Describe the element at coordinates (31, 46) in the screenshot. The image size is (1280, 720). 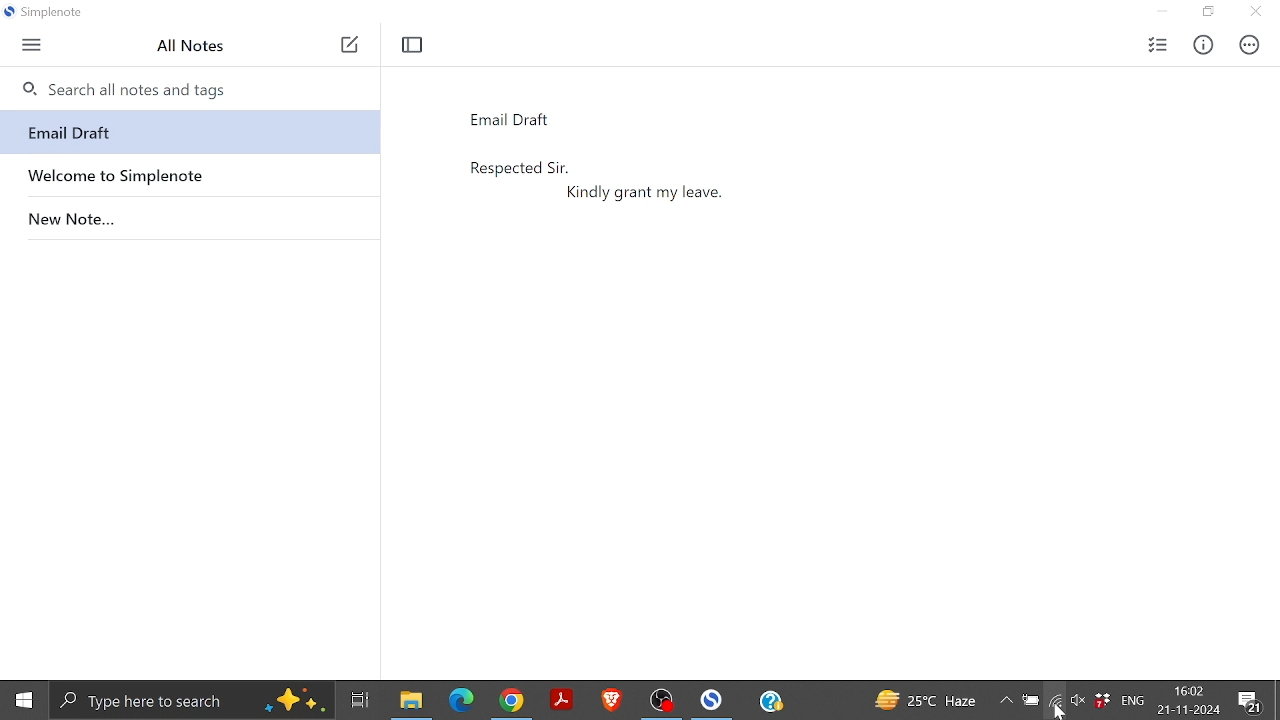
I see `Menu` at that location.